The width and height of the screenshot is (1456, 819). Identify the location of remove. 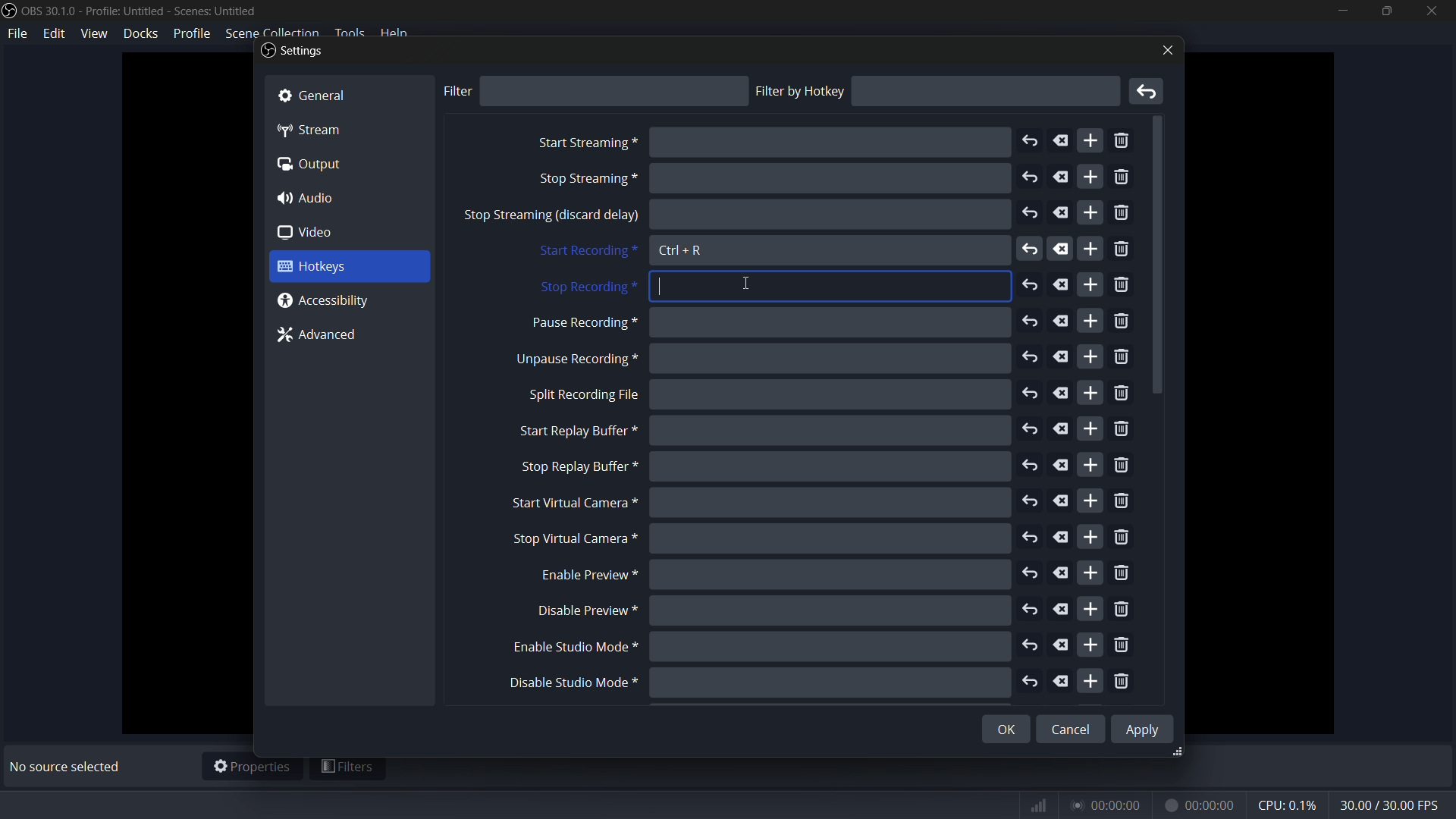
(1121, 323).